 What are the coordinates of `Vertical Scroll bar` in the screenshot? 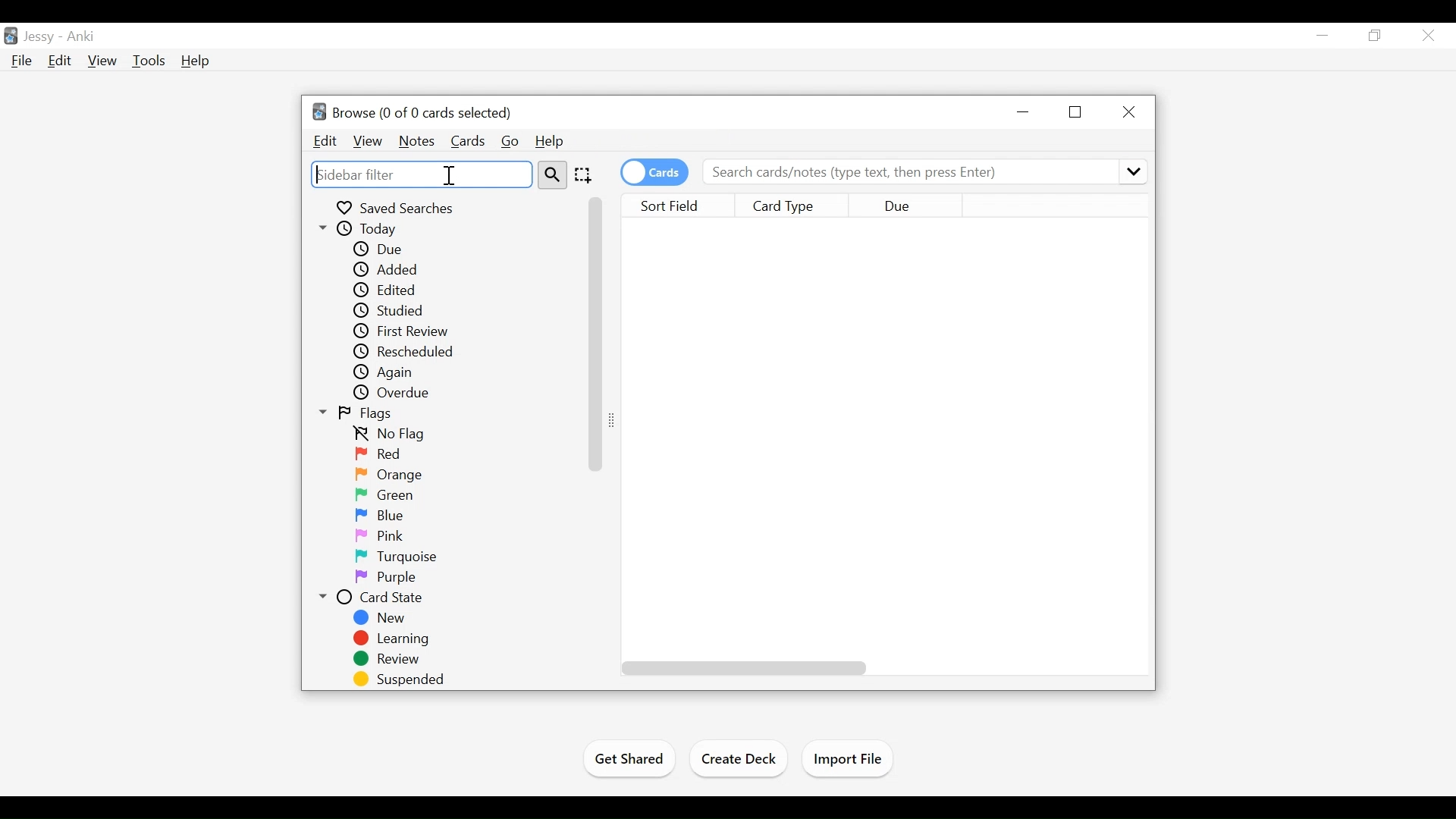 It's located at (595, 334).